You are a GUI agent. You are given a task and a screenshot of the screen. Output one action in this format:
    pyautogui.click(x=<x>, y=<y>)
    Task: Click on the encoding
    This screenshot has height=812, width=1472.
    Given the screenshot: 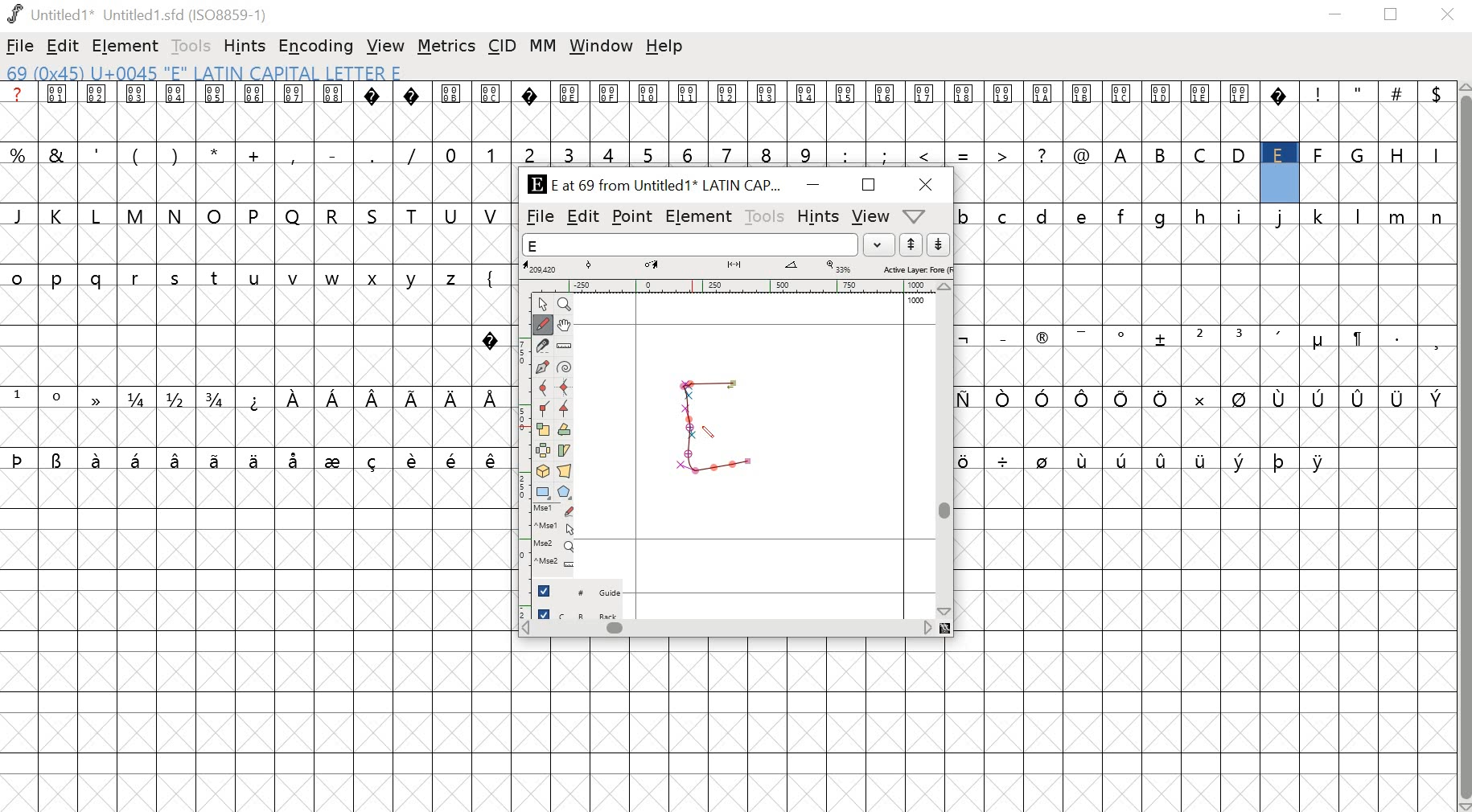 What is the action you would take?
    pyautogui.click(x=316, y=47)
    